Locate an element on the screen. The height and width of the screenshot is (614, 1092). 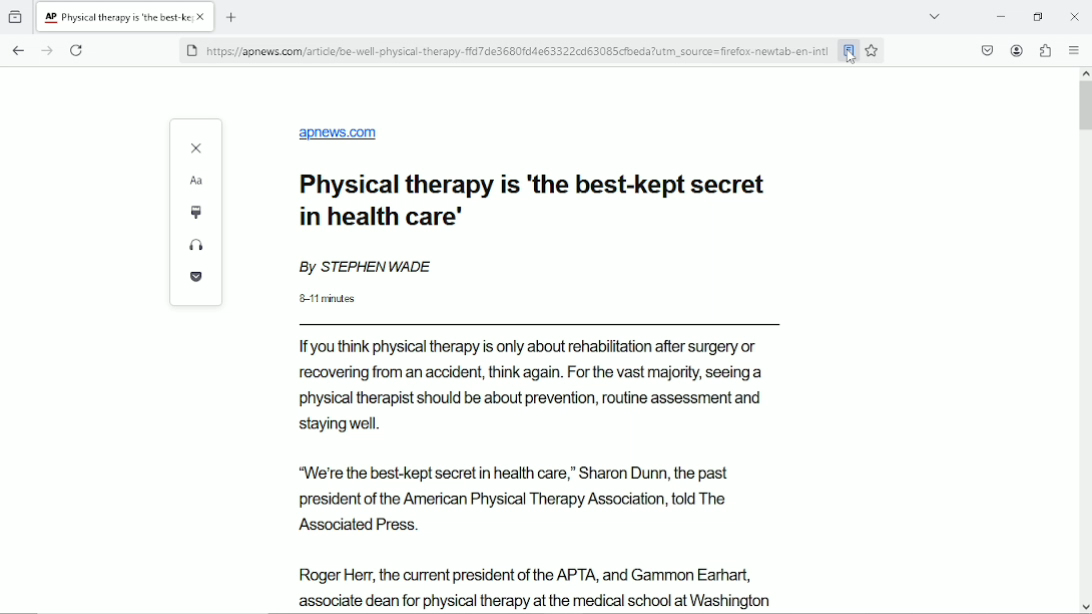
Close is located at coordinates (1076, 16).